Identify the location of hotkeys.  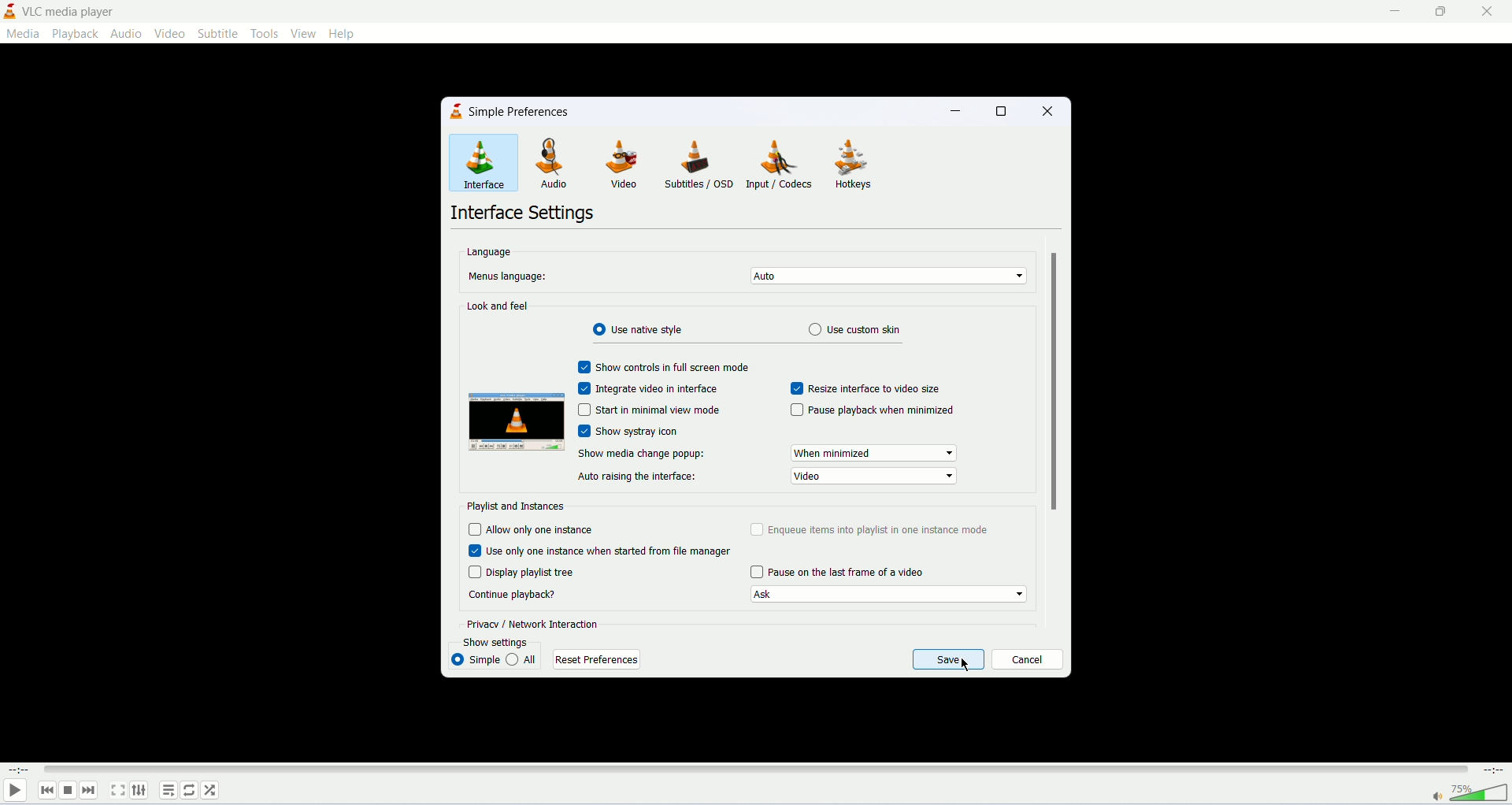
(850, 164).